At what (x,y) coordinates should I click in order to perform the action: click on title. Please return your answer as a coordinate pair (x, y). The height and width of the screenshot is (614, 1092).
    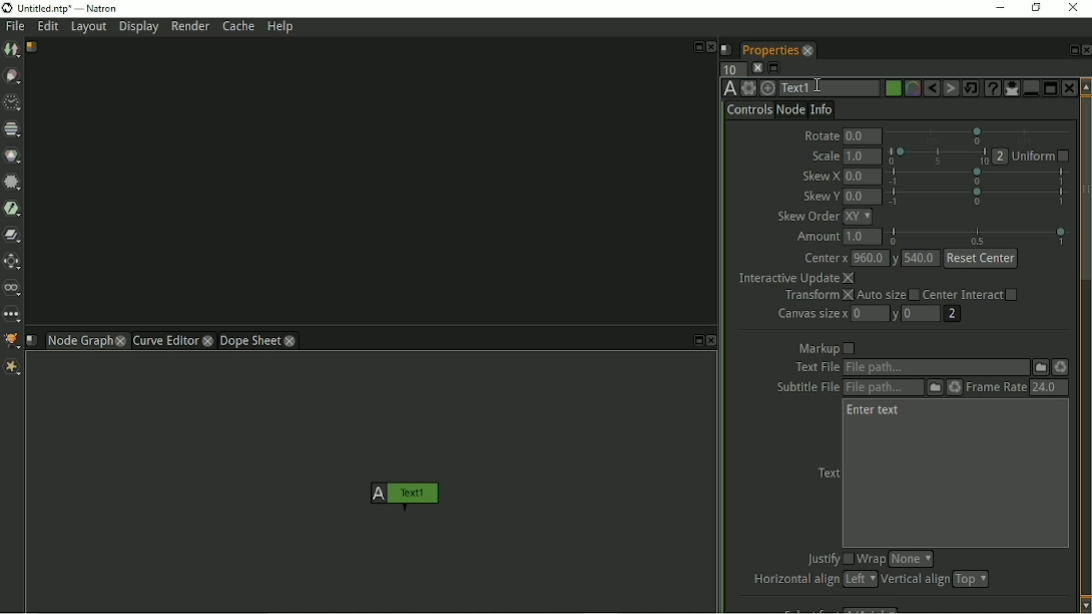
    Looking at the image, I should click on (79, 8).